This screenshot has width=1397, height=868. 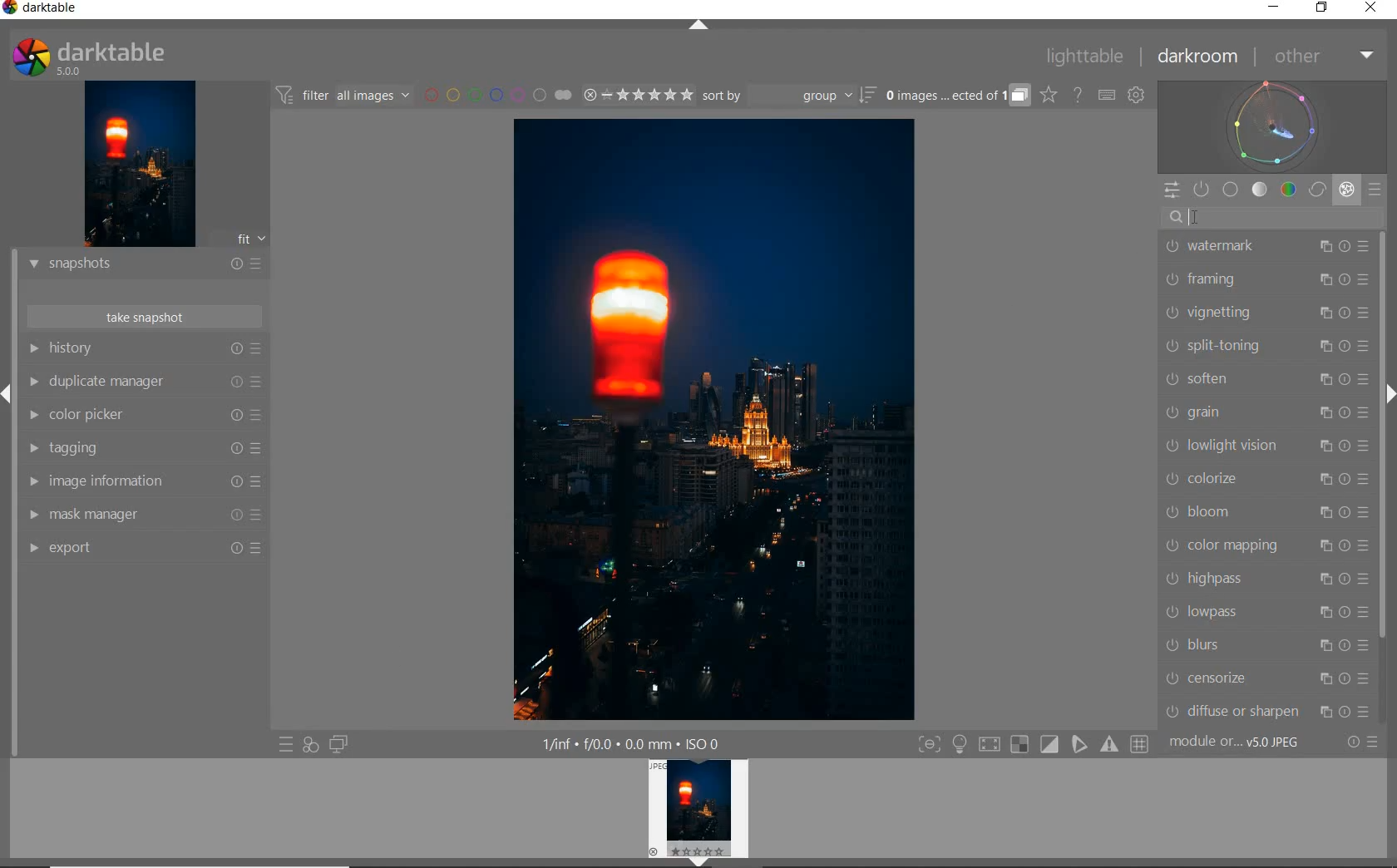 I want to click on SHOW GLOBAL PREFERENCES, so click(x=1138, y=96).